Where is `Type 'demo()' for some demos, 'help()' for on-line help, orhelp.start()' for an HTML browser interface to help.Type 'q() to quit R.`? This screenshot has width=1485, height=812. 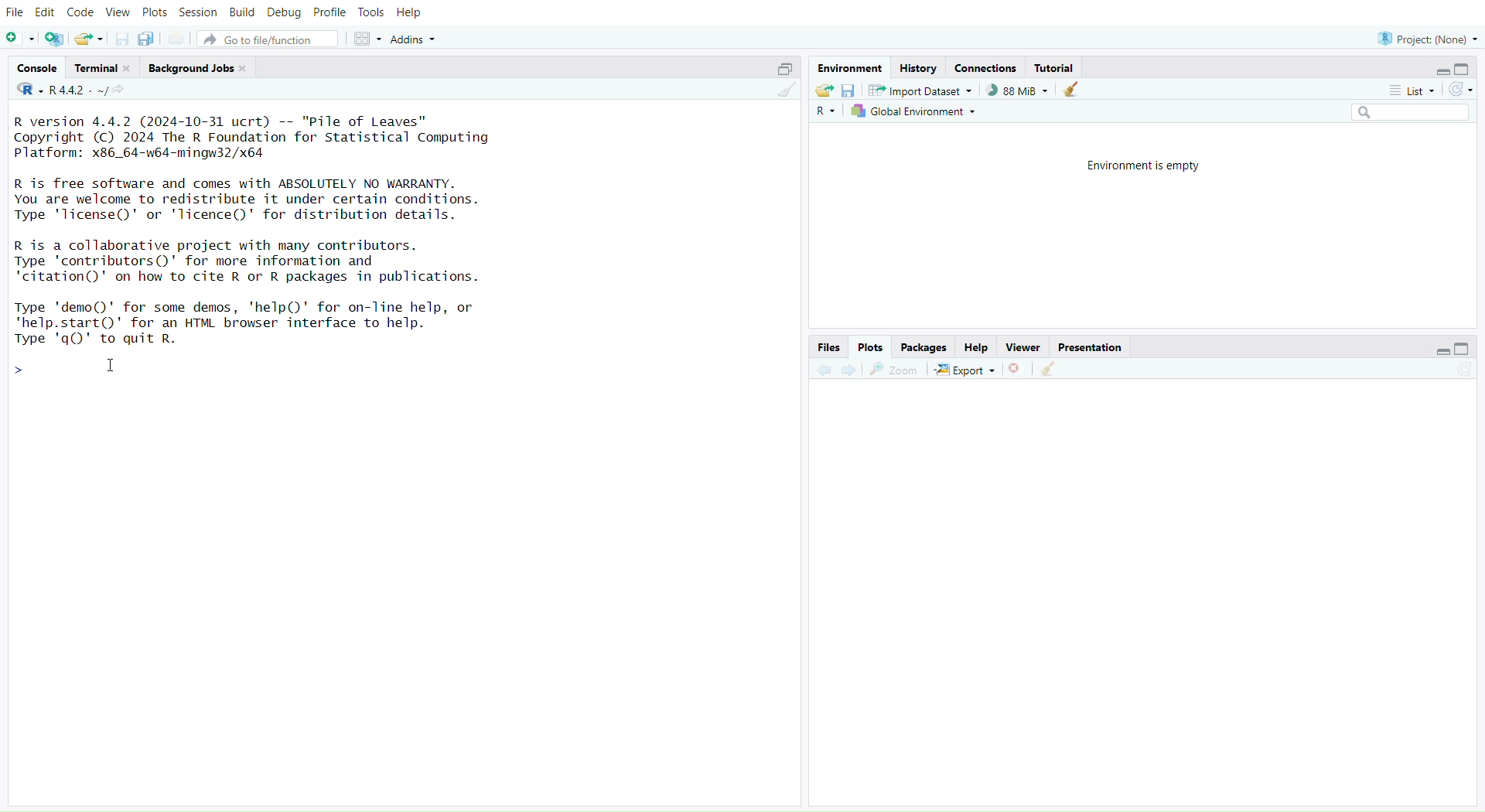
Type 'demo()' for some demos, 'help()' for on-line help, orhelp.start()' for an HTML browser interface to help.Type 'q() to quit R. is located at coordinates (258, 324).